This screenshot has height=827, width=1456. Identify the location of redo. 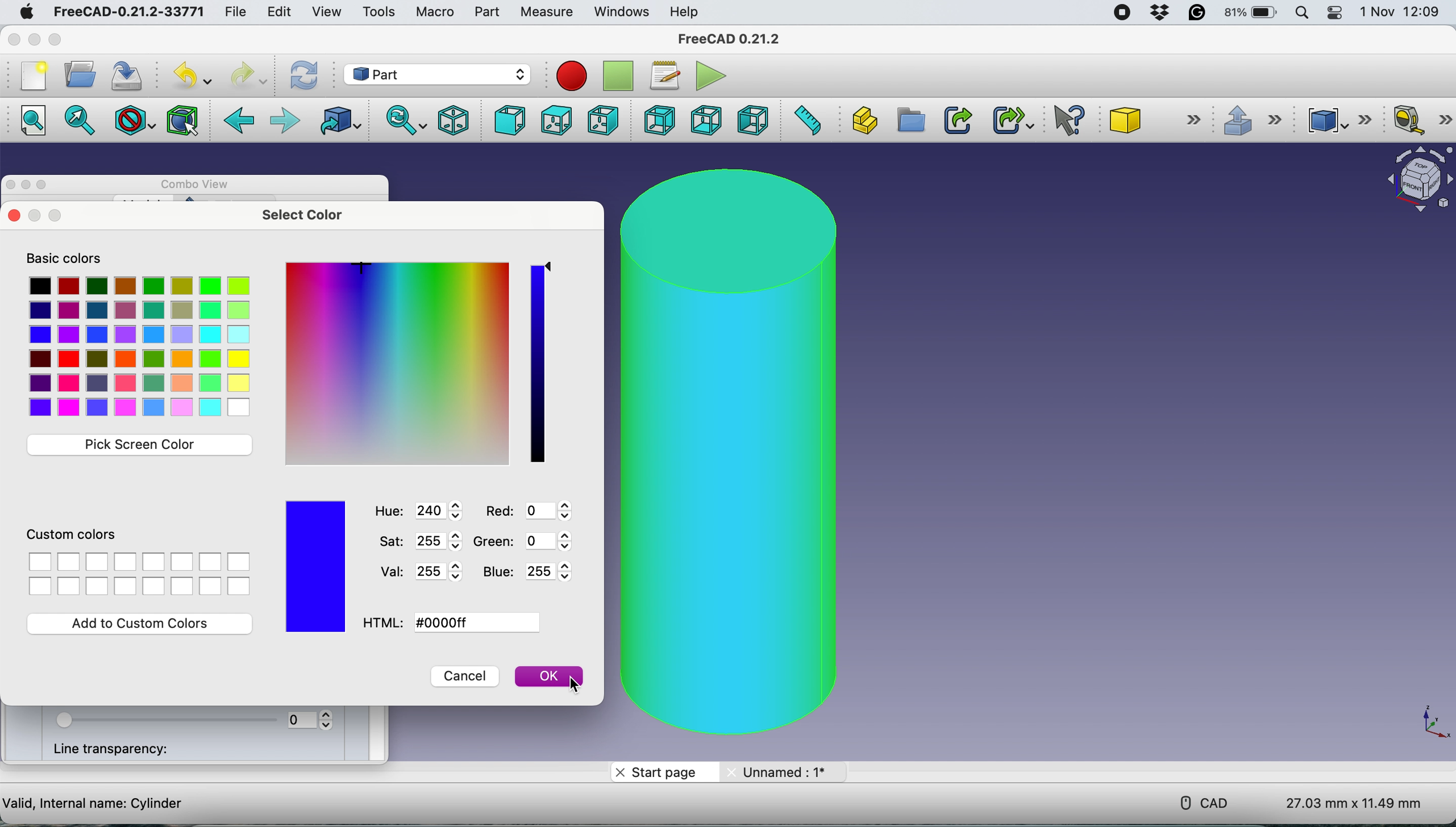
(252, 75).